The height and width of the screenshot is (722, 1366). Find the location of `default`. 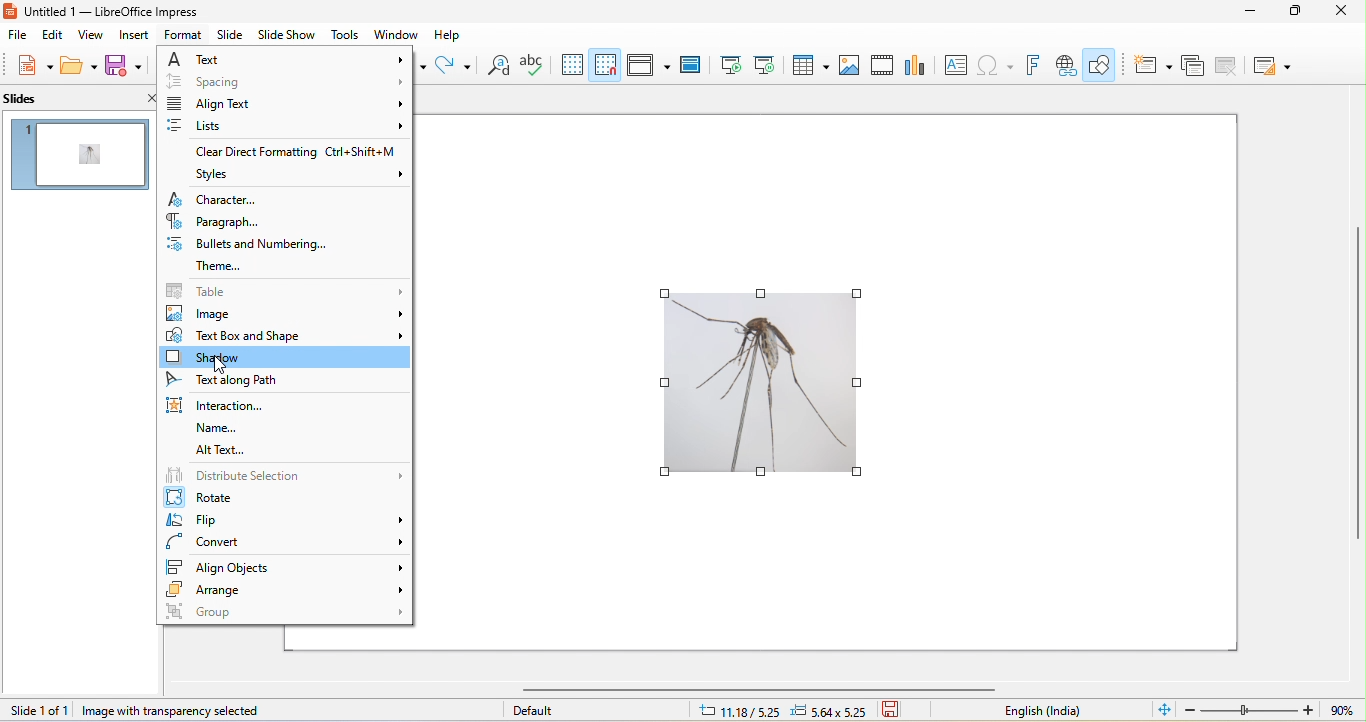

default is located at coordinates (539, 709).